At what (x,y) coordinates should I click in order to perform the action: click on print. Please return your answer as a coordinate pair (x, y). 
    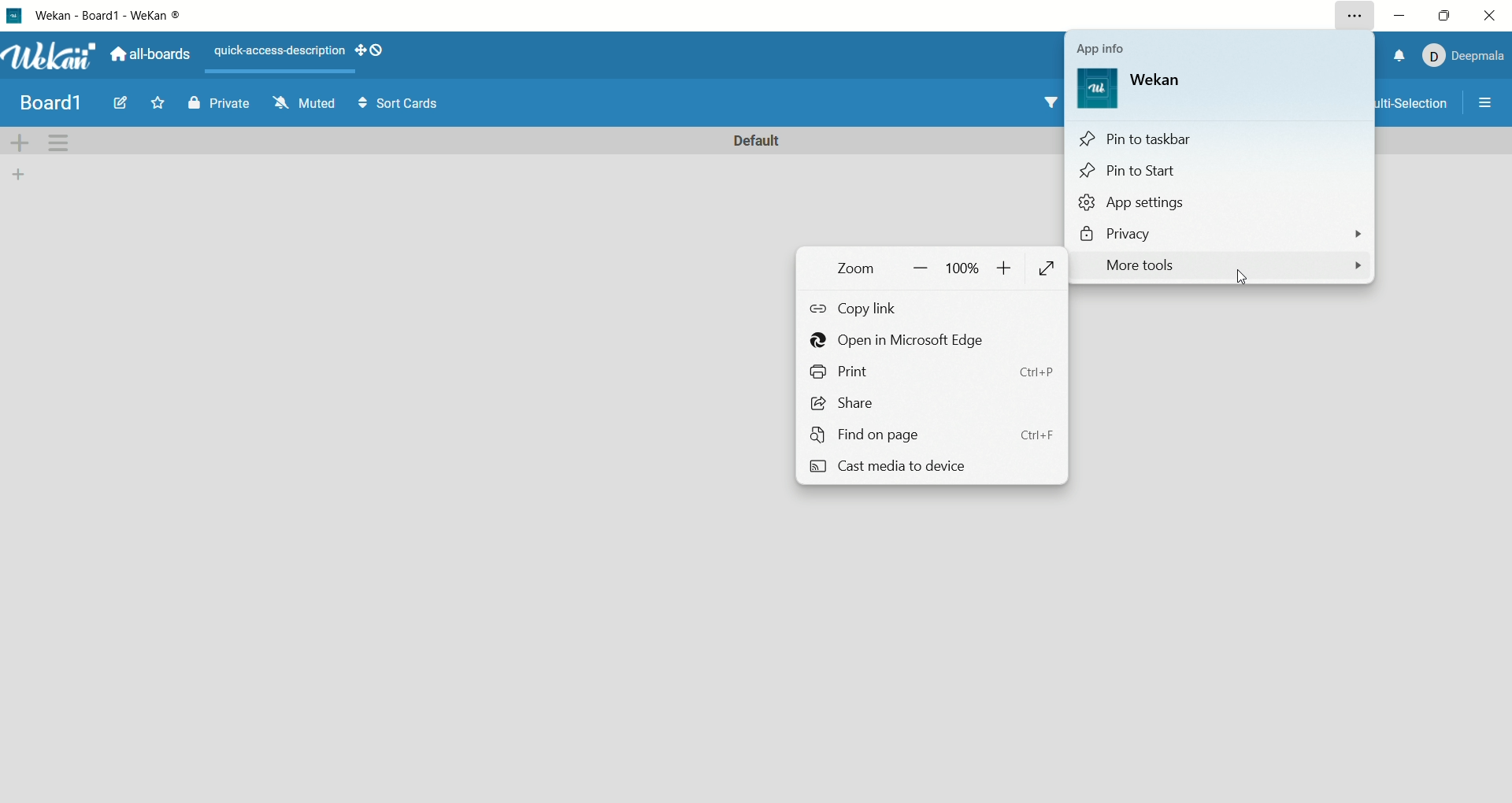
    Looking at the image, I should click on (933, 372).